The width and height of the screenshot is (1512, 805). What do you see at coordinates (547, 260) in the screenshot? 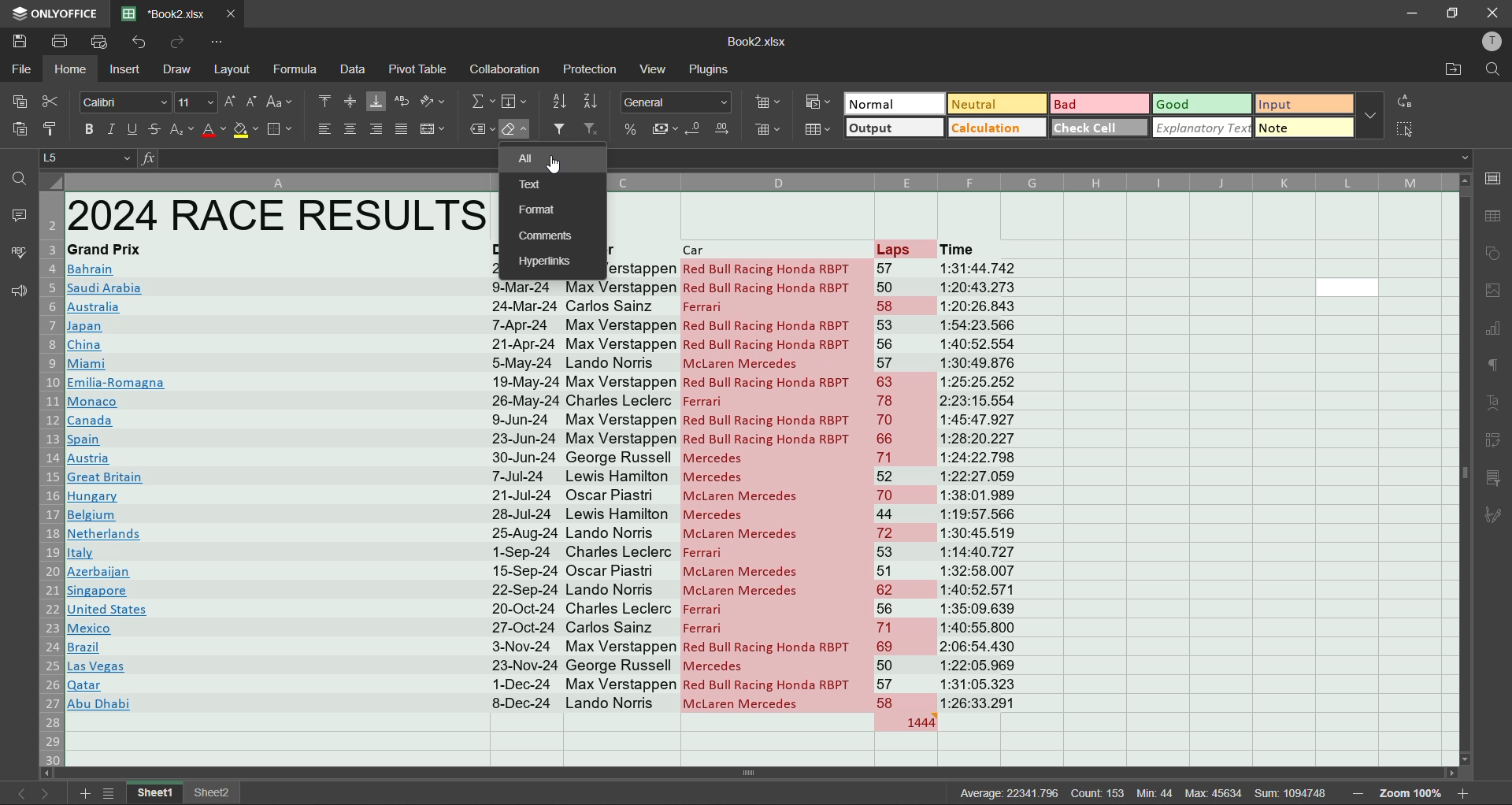
I see `hyperlinks` at bounding box center [547, 260].